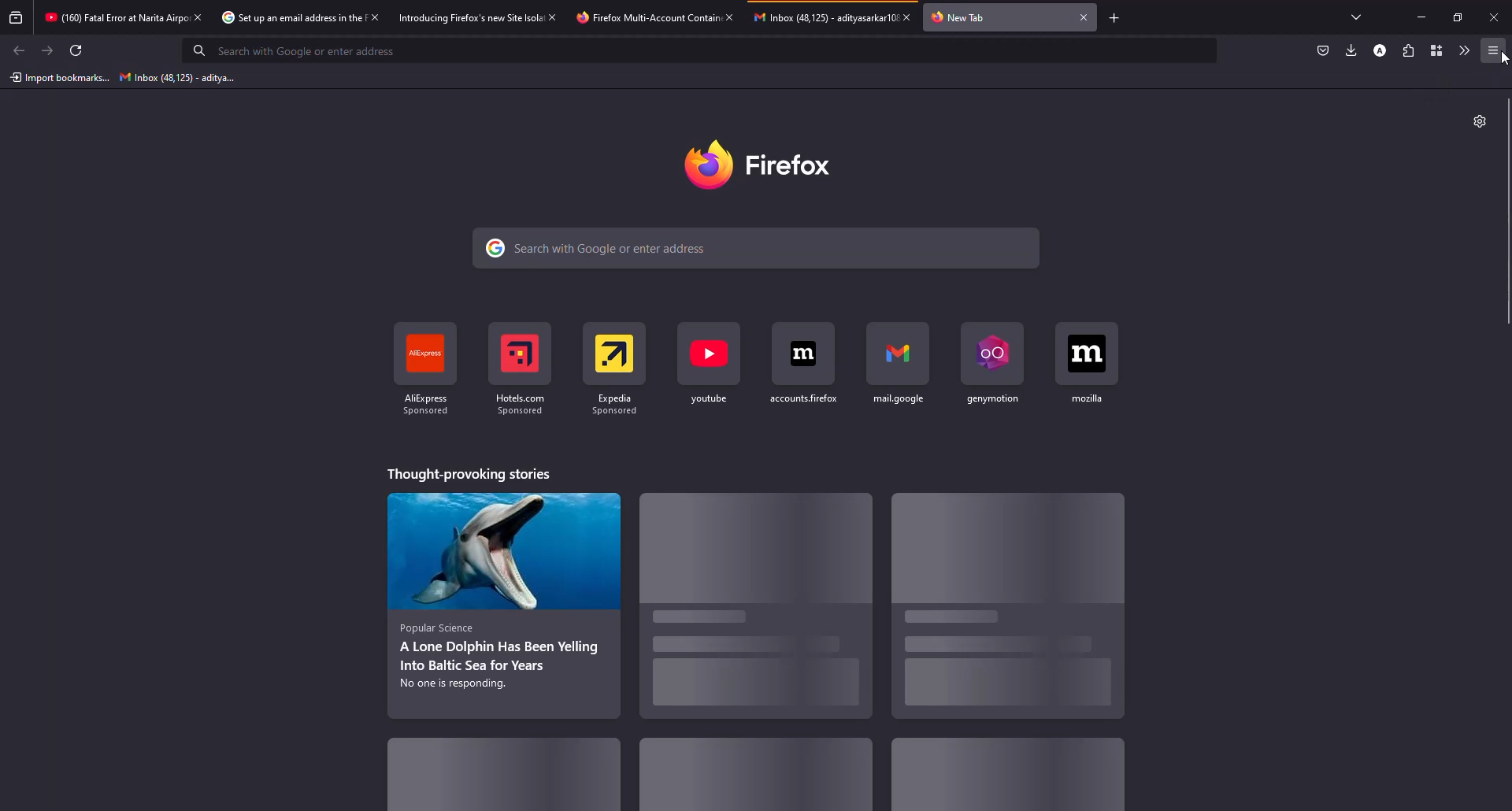 The height and width of the screenshot is (811, 1512). What do you see at coordinates (1084, 17) in the screenshot?
I see `close` at bounding box center [1084, 17].